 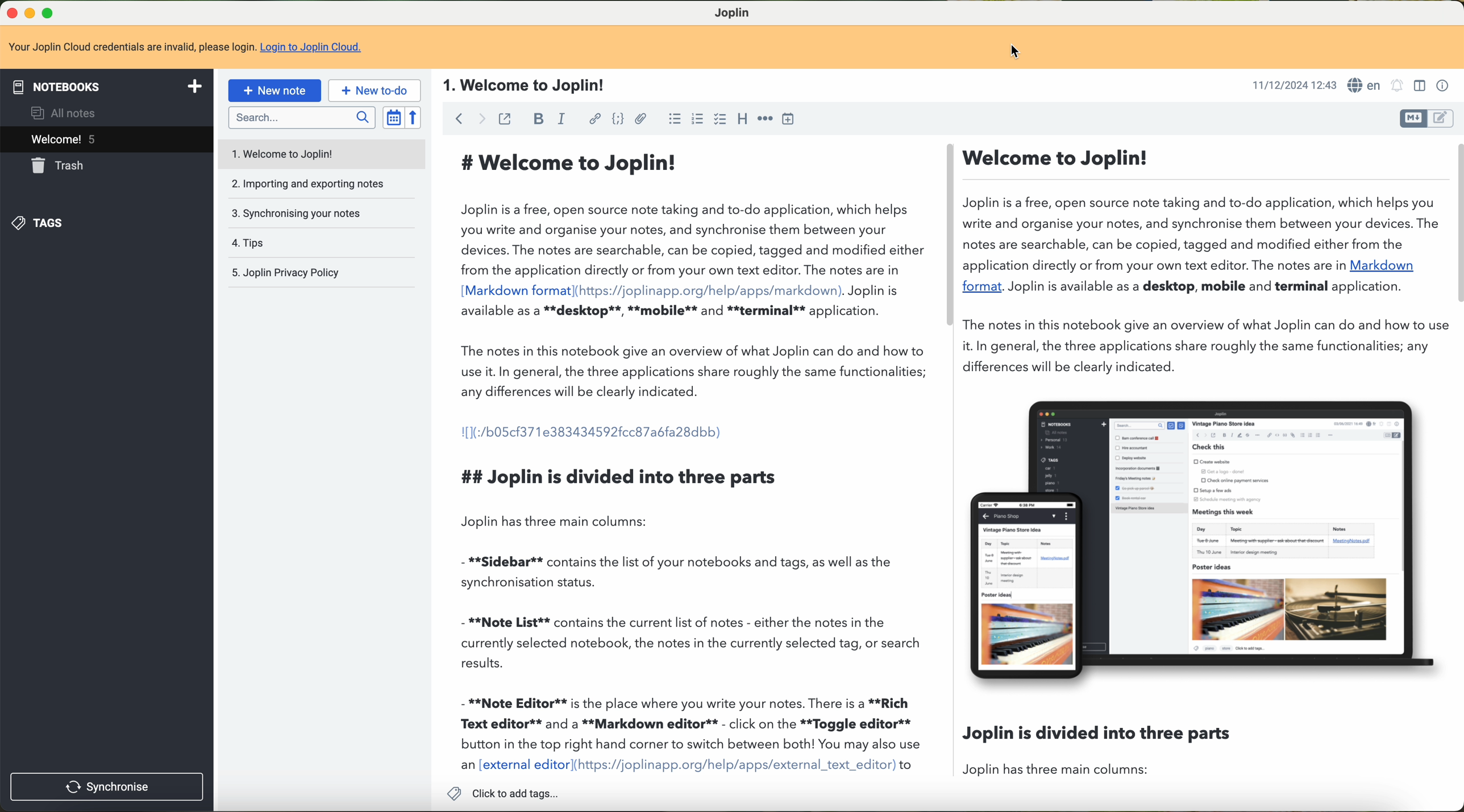 What do you see at coordinates (618, 119) in the screenshot?
I see `code` at bounding box center [618, 119].